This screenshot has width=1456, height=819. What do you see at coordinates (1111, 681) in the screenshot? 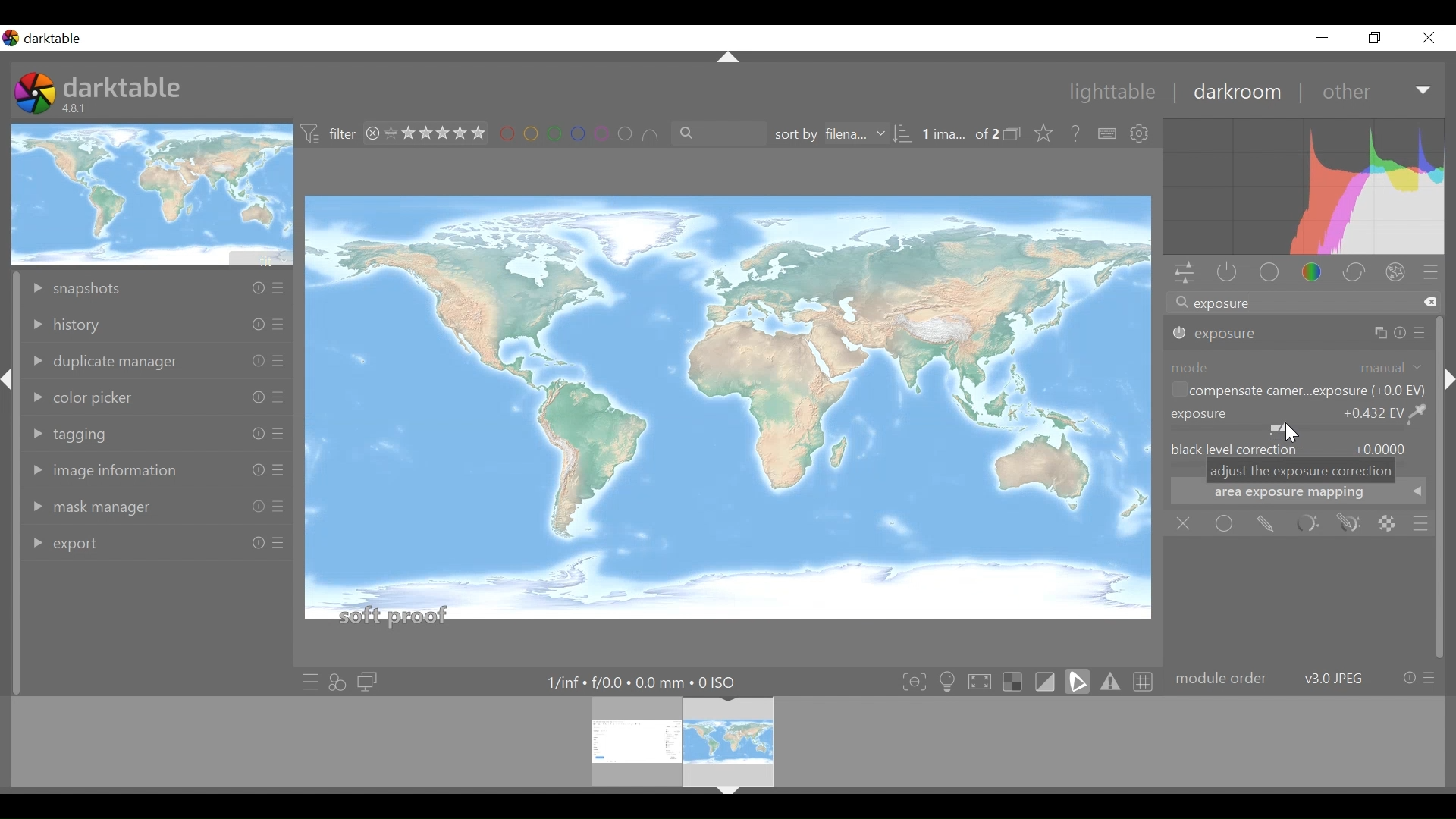
I see `toggle gamut checking` at bounding box center [1111, 681].